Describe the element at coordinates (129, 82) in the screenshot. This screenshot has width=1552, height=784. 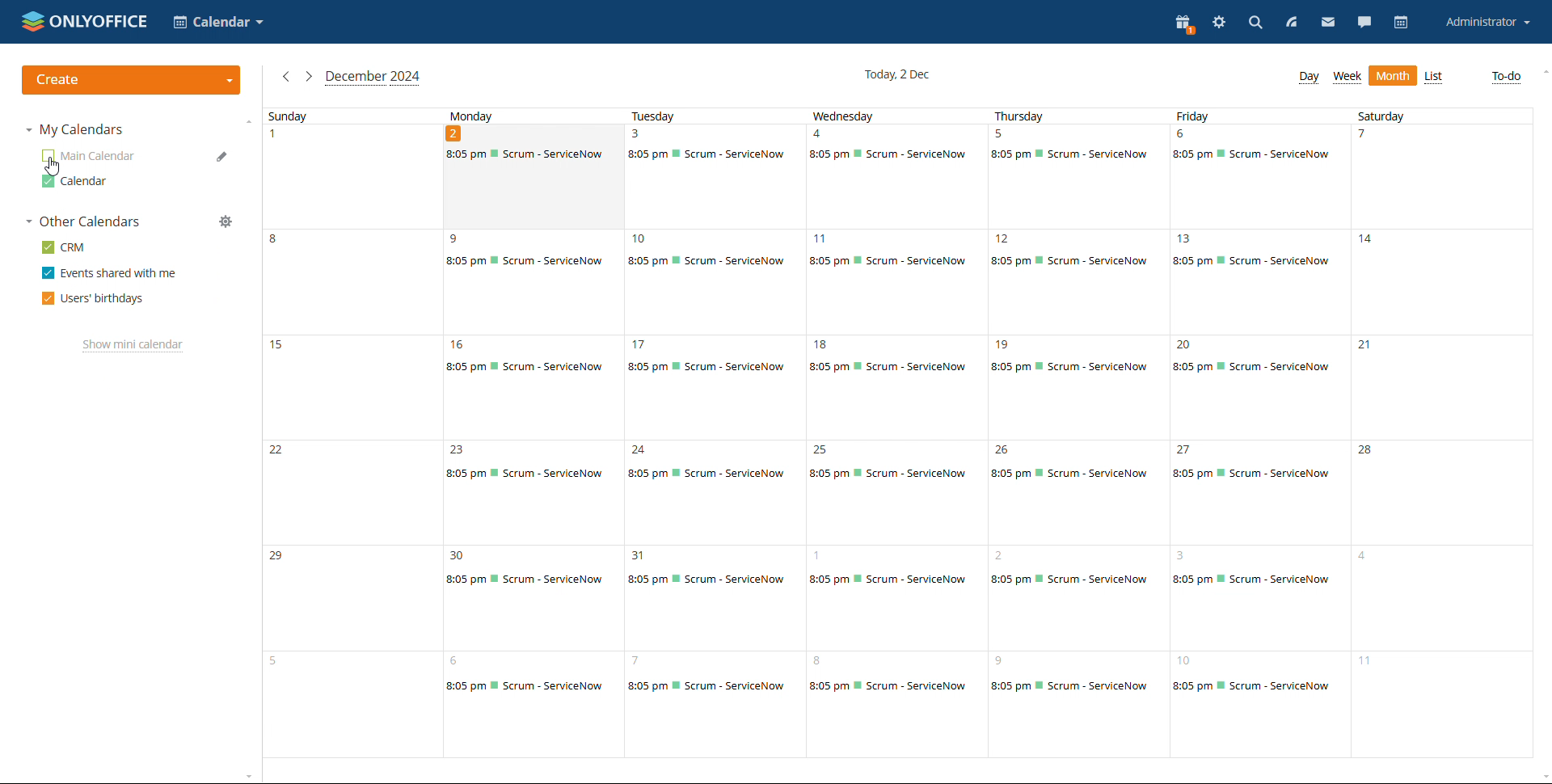
I see `create` at that location.